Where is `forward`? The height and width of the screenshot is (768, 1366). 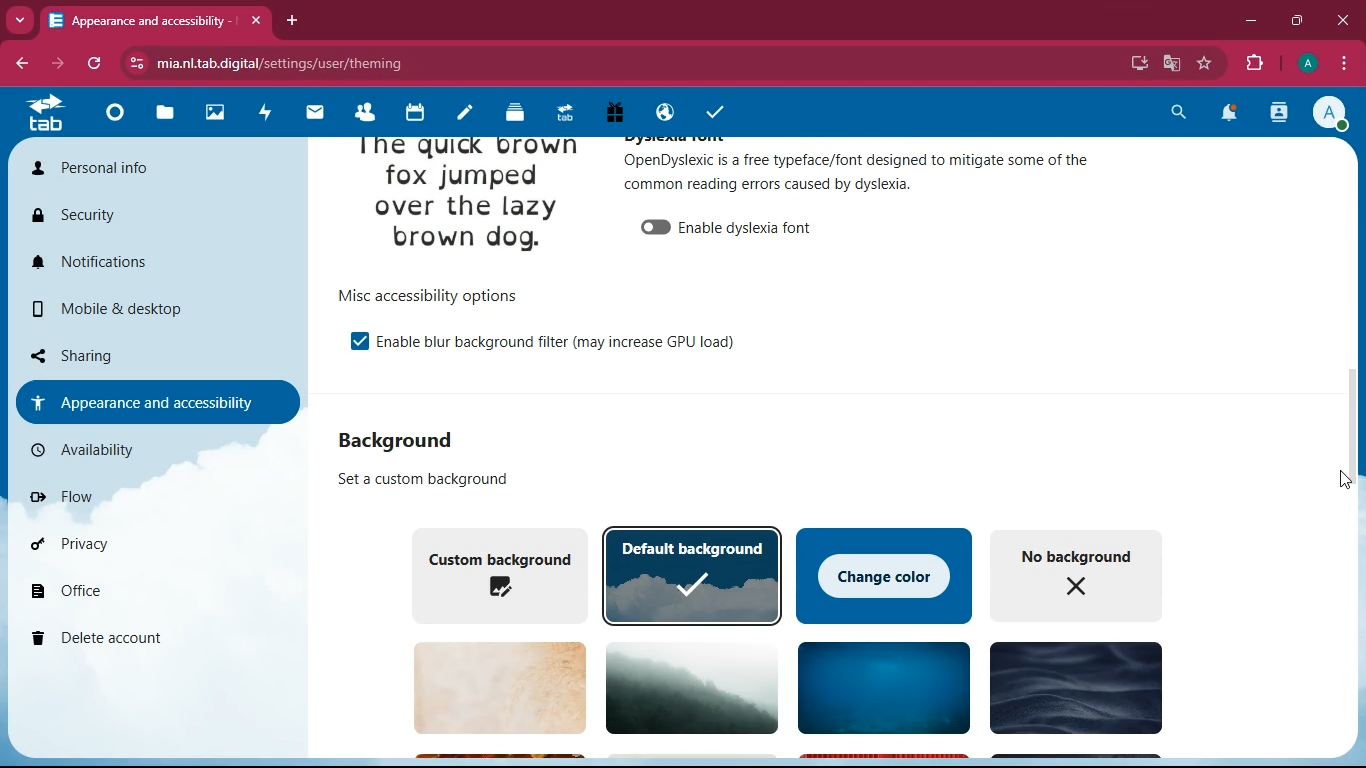
forward is located at coordinates (65, 64).